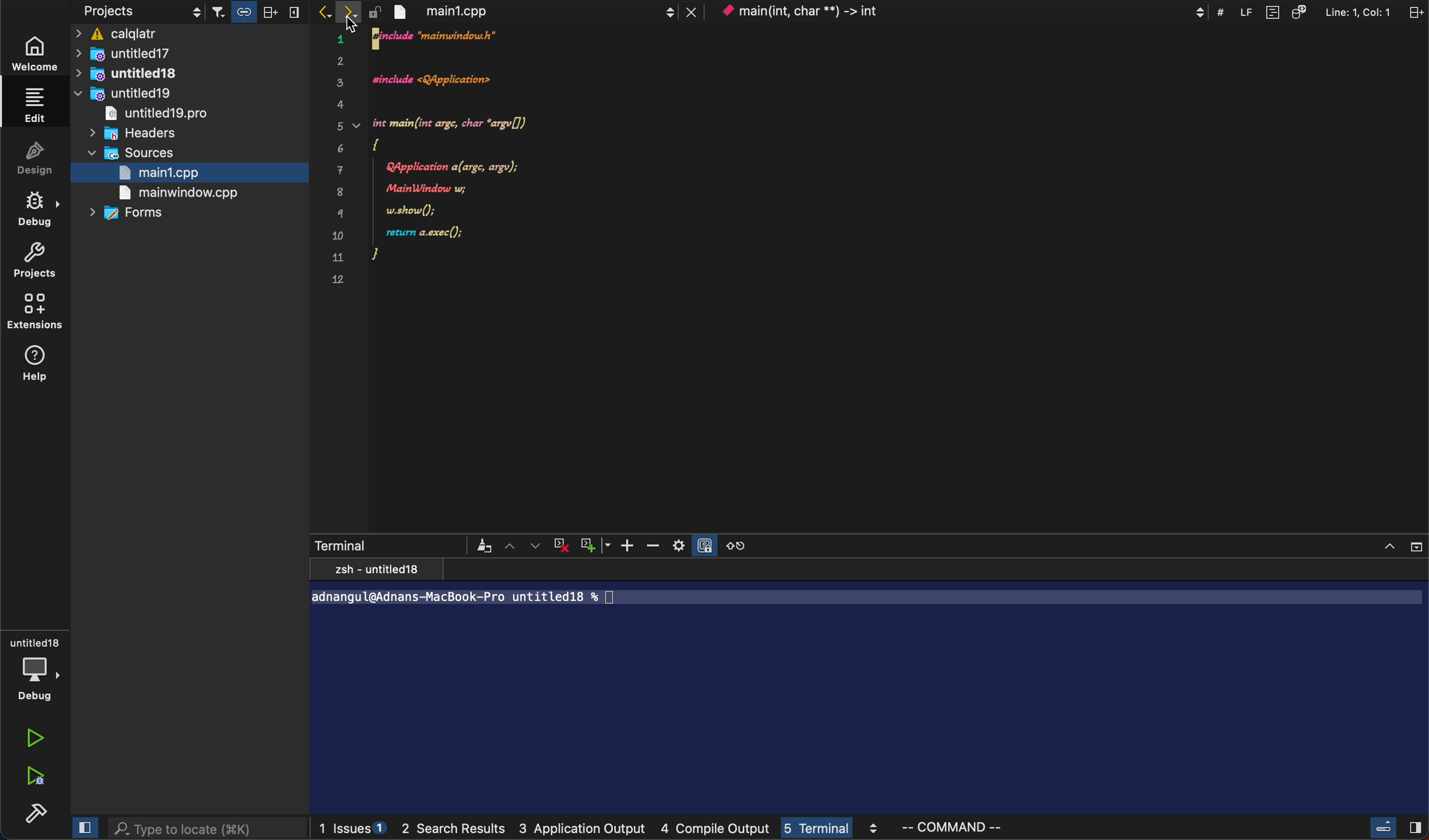 Image resolution: width=1429 pixels, height=840 pixels. I want to click on run, so click(32, 739).